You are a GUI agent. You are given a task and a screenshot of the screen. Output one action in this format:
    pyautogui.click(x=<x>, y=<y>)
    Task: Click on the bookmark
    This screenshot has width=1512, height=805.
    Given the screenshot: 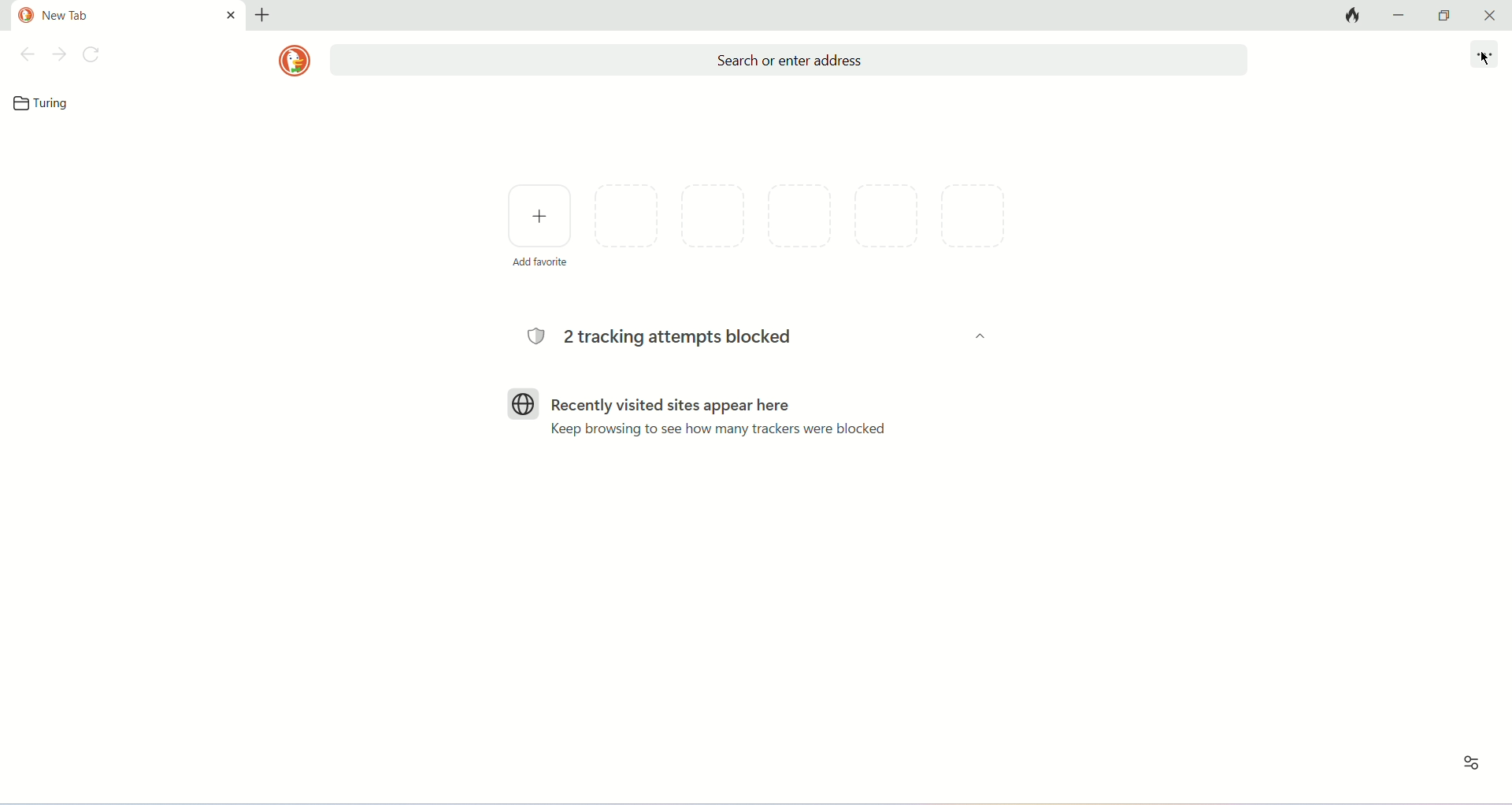 What is the action you would take?
    pyautogui.click(x=46, y=103)
    